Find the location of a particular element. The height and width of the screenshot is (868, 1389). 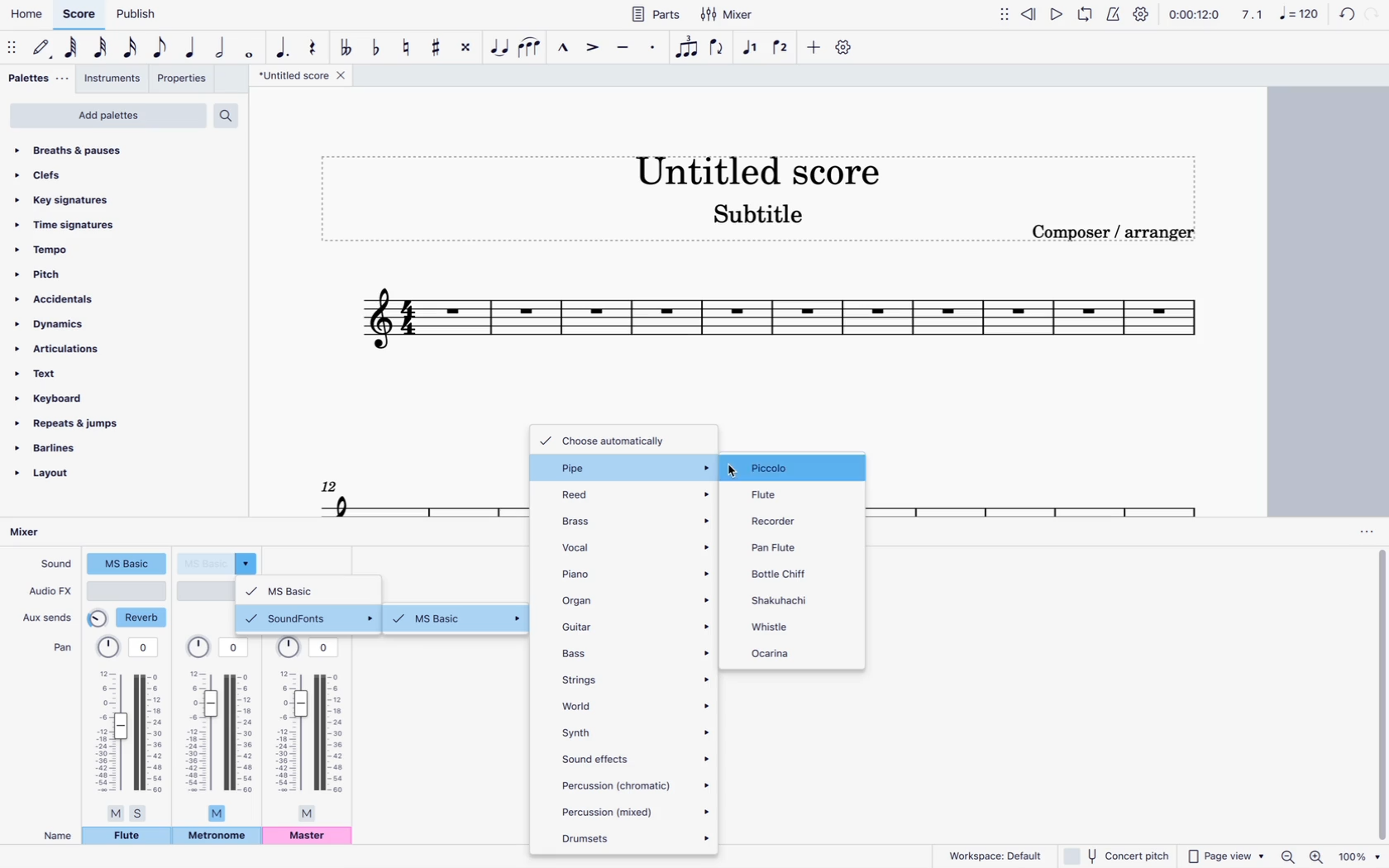

selected option is located at coordinates (791, 469).